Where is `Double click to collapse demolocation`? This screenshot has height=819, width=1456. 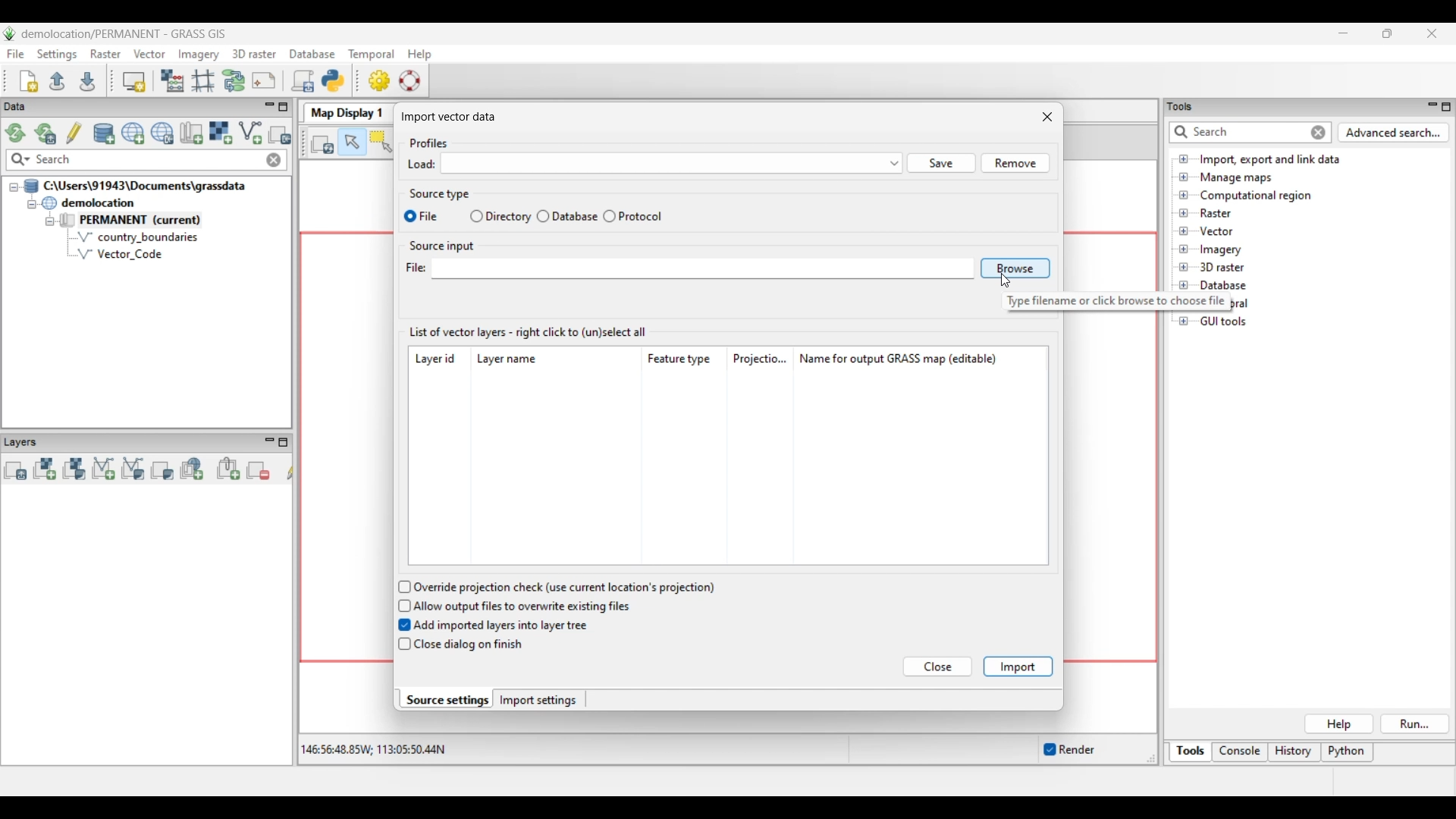 Double click to collapse demolocation is located at coordinates (88, 202).